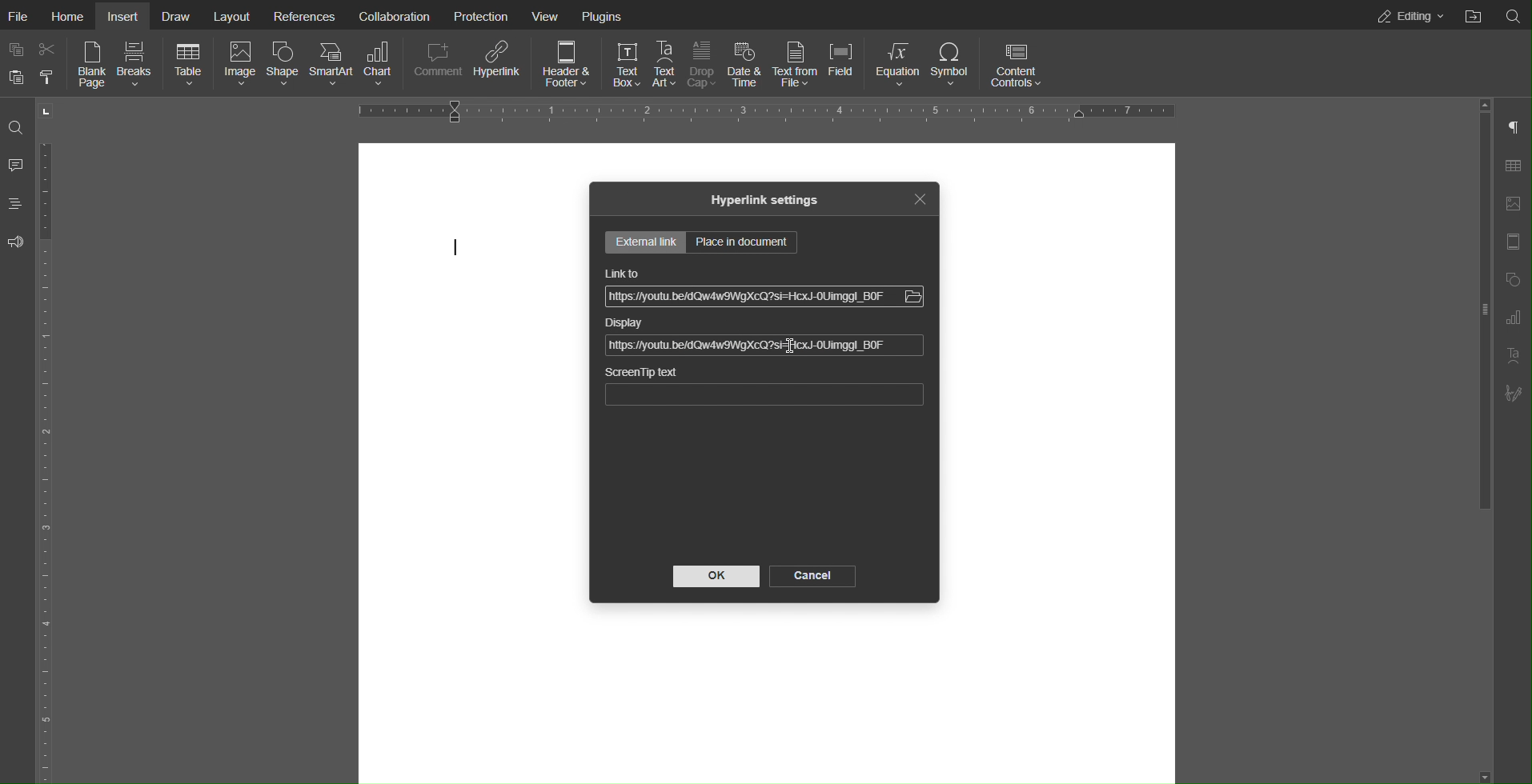  Describe the element at coordinates (182, 16) in the screenshot. I see `Draw` at that location.